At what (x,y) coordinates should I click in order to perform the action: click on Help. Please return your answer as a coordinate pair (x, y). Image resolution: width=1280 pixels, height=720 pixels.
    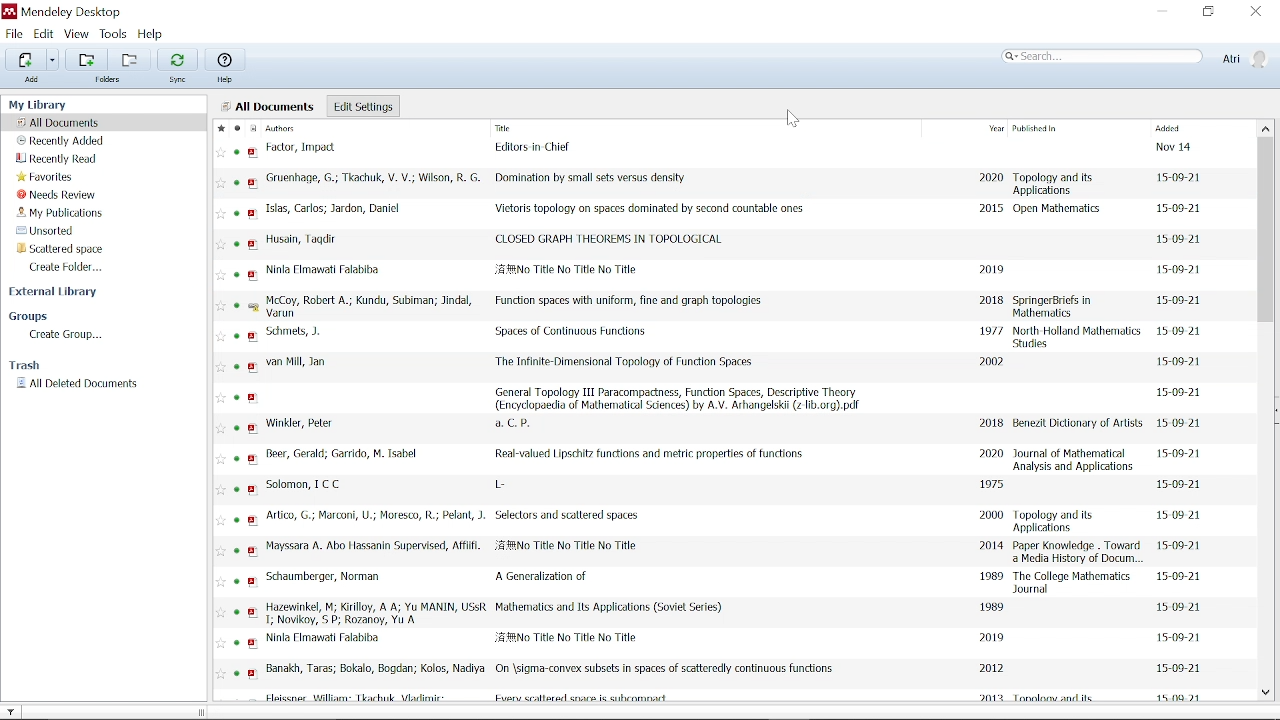
    Looking at the image, I should click on (227, 80).